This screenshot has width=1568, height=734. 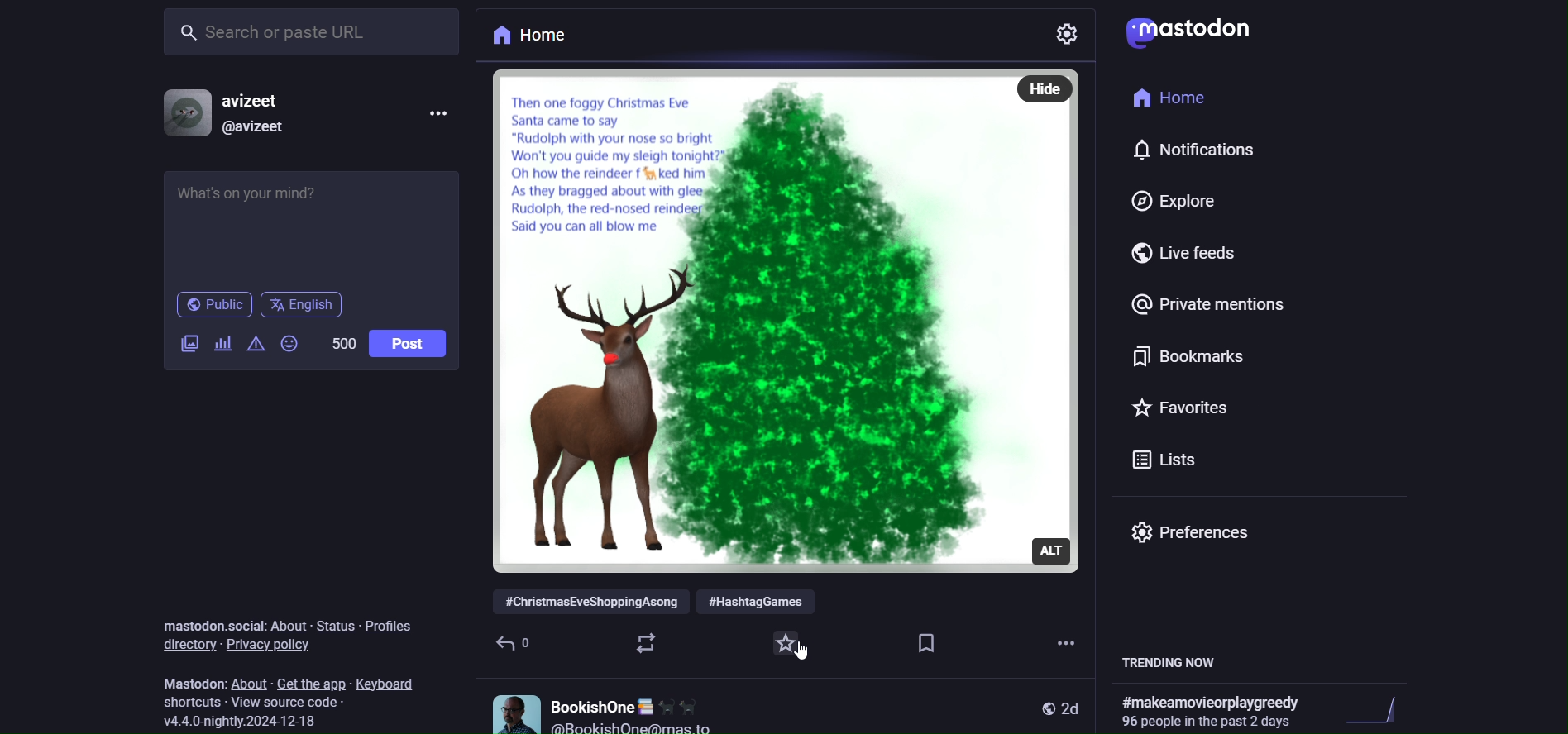 What do you see at coordinates (1188, 30) in the screenshot?
I see `mastodon` at bounding box center [1188, 30].